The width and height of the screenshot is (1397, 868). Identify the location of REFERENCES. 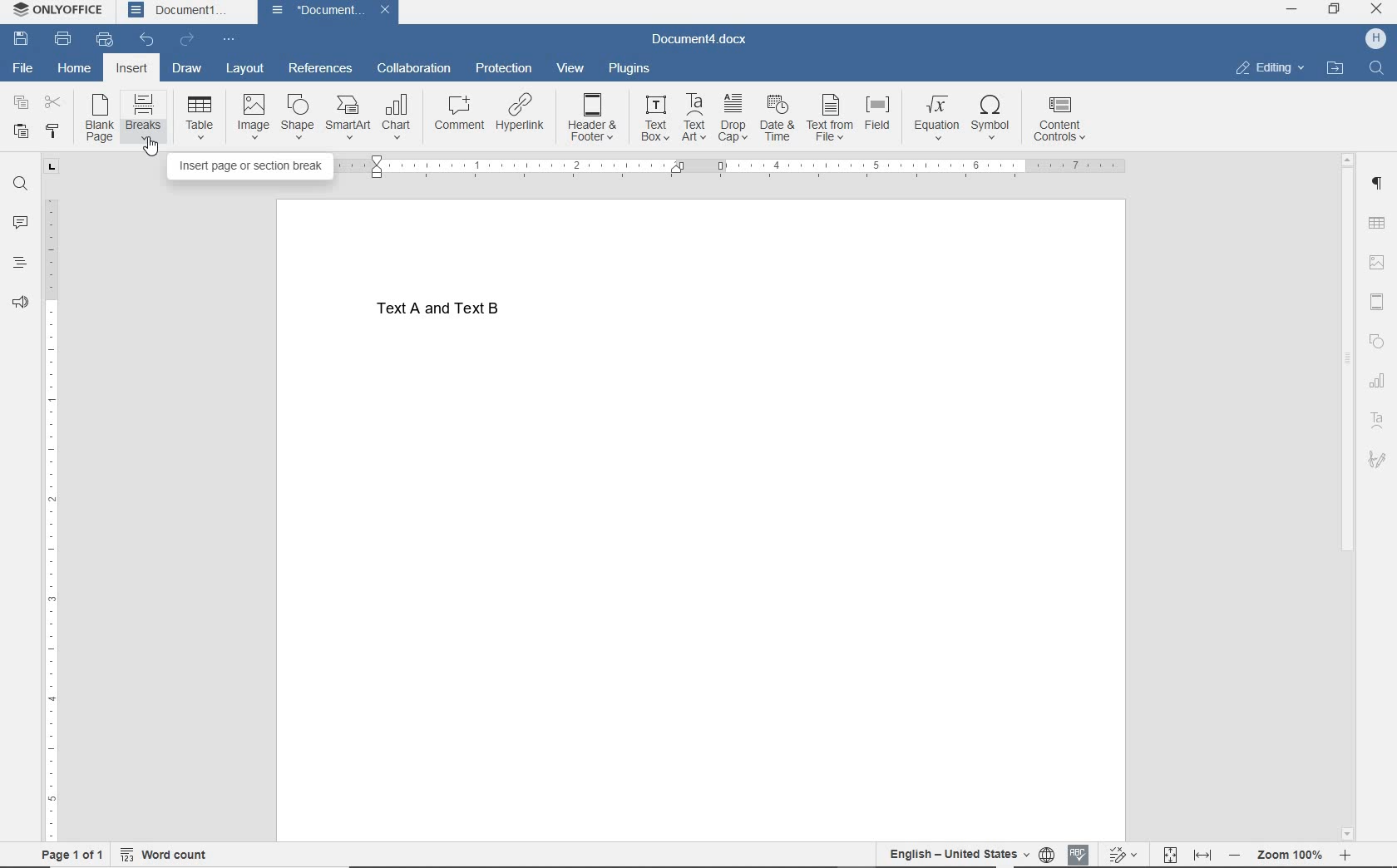
(321, 70).